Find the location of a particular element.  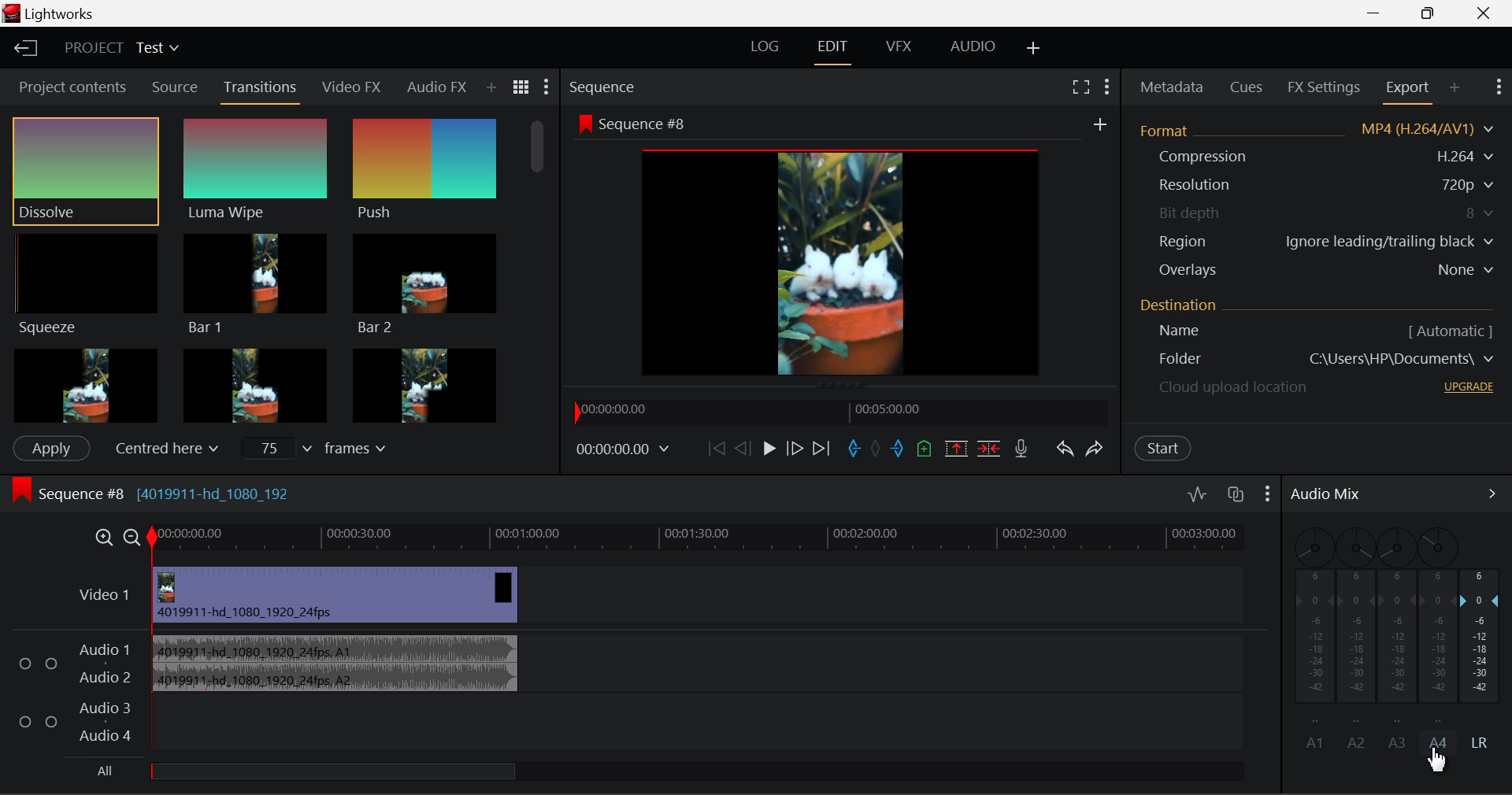

Mark Out is located at coordinates (899, 449).